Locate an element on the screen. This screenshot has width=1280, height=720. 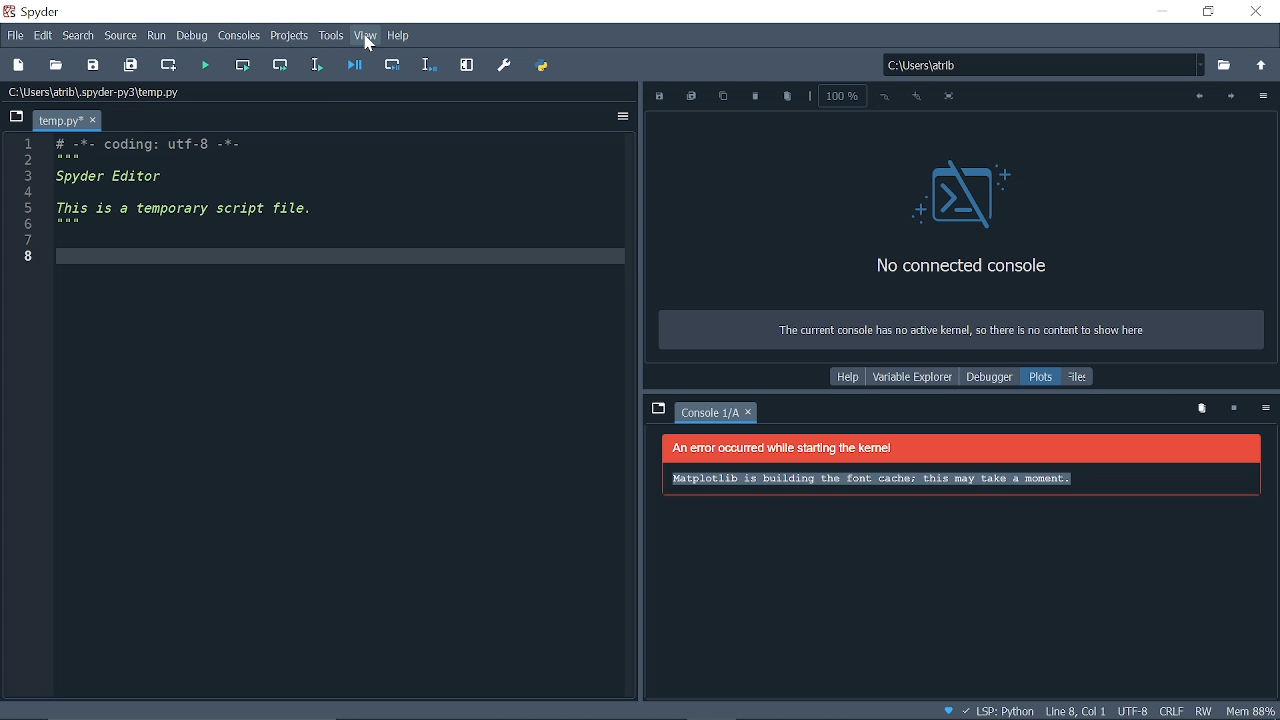
Run current cell and go to next  is located at coordinates (283, 65).